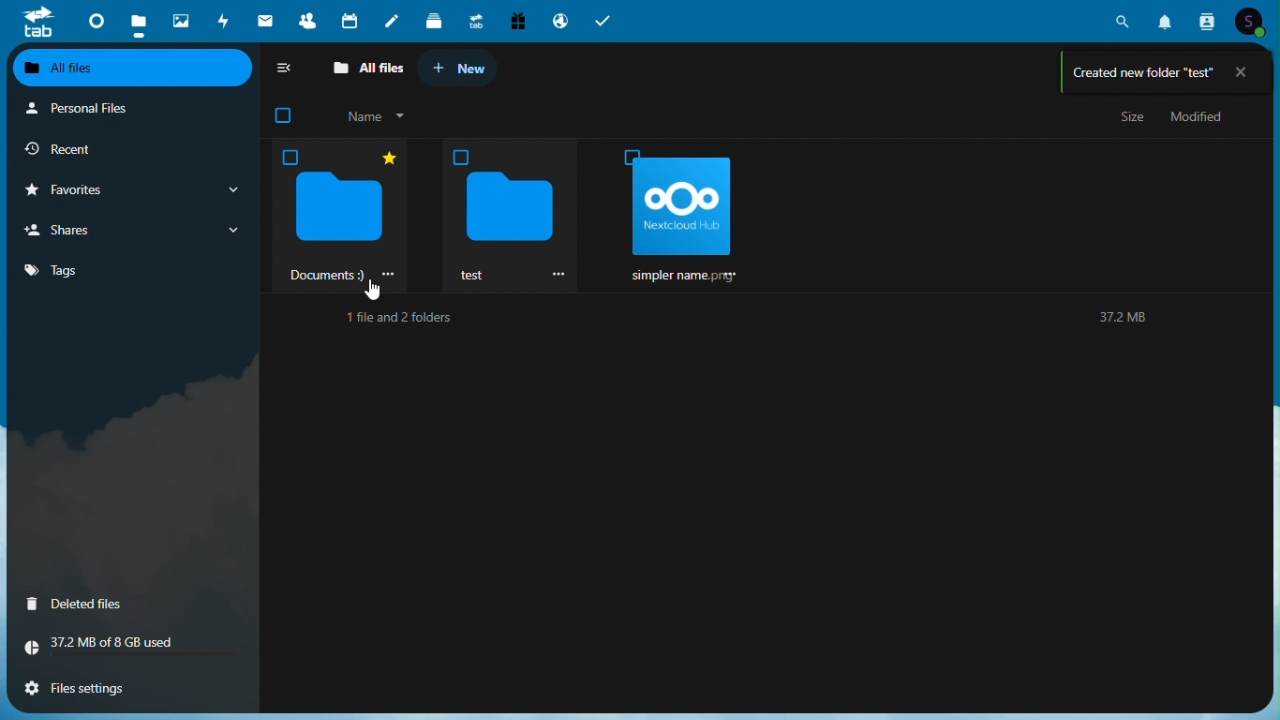 The image size is (1280, 720). I want to click on deck, so click(435, 19).